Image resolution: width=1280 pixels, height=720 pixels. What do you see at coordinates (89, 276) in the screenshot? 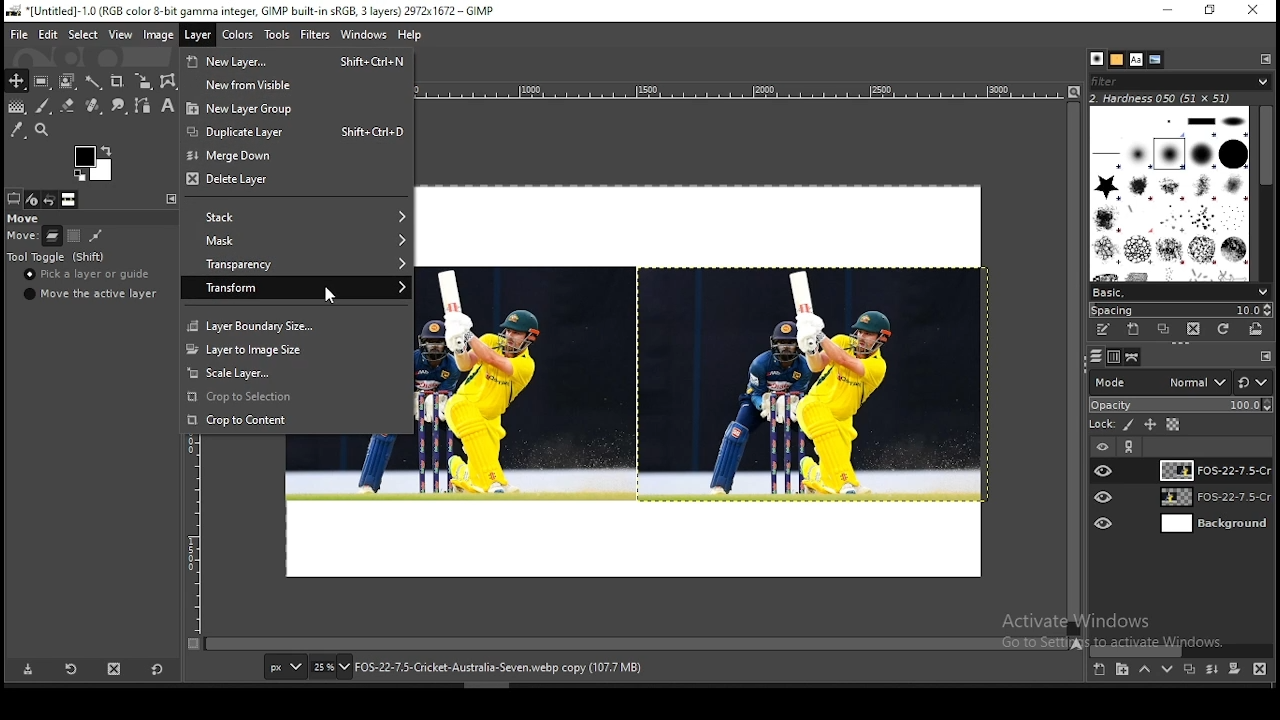
I see `pick a layer or guide` at bounding box center [89, 276].